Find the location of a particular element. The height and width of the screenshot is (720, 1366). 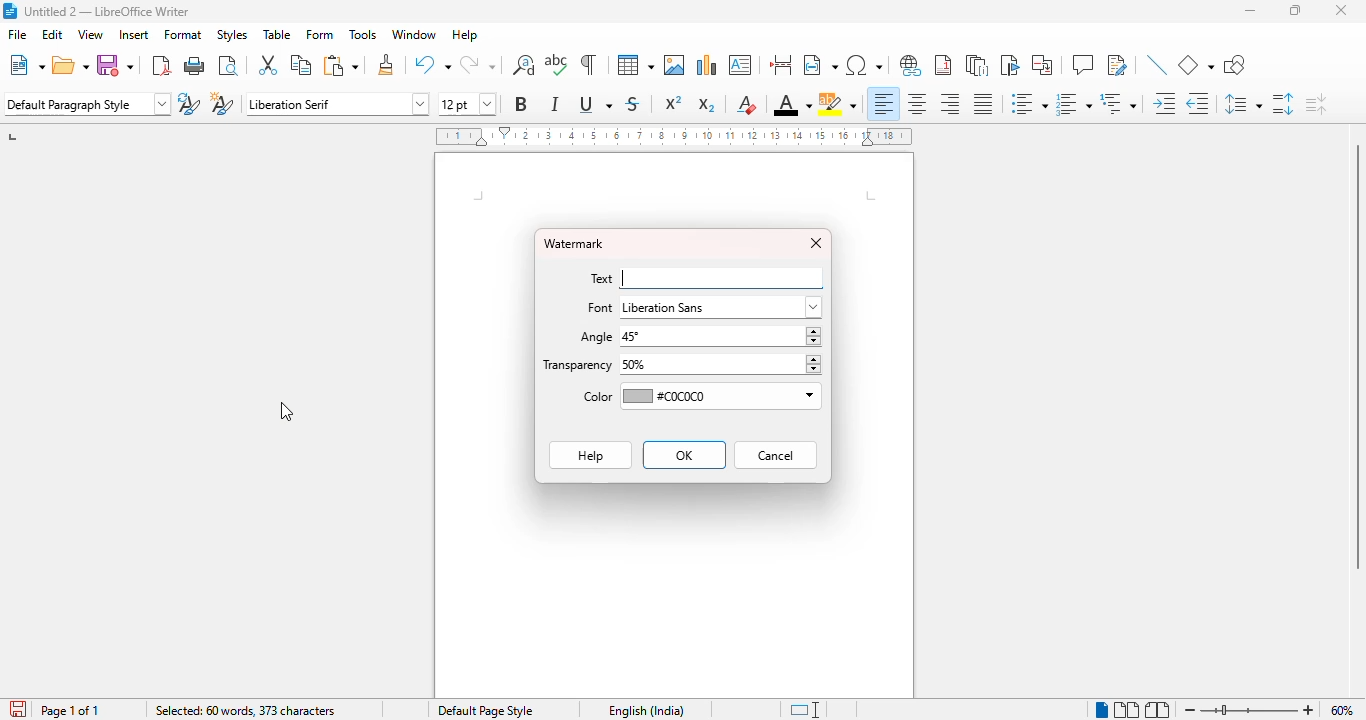

strikethrough is located at coordinates (632, 104).